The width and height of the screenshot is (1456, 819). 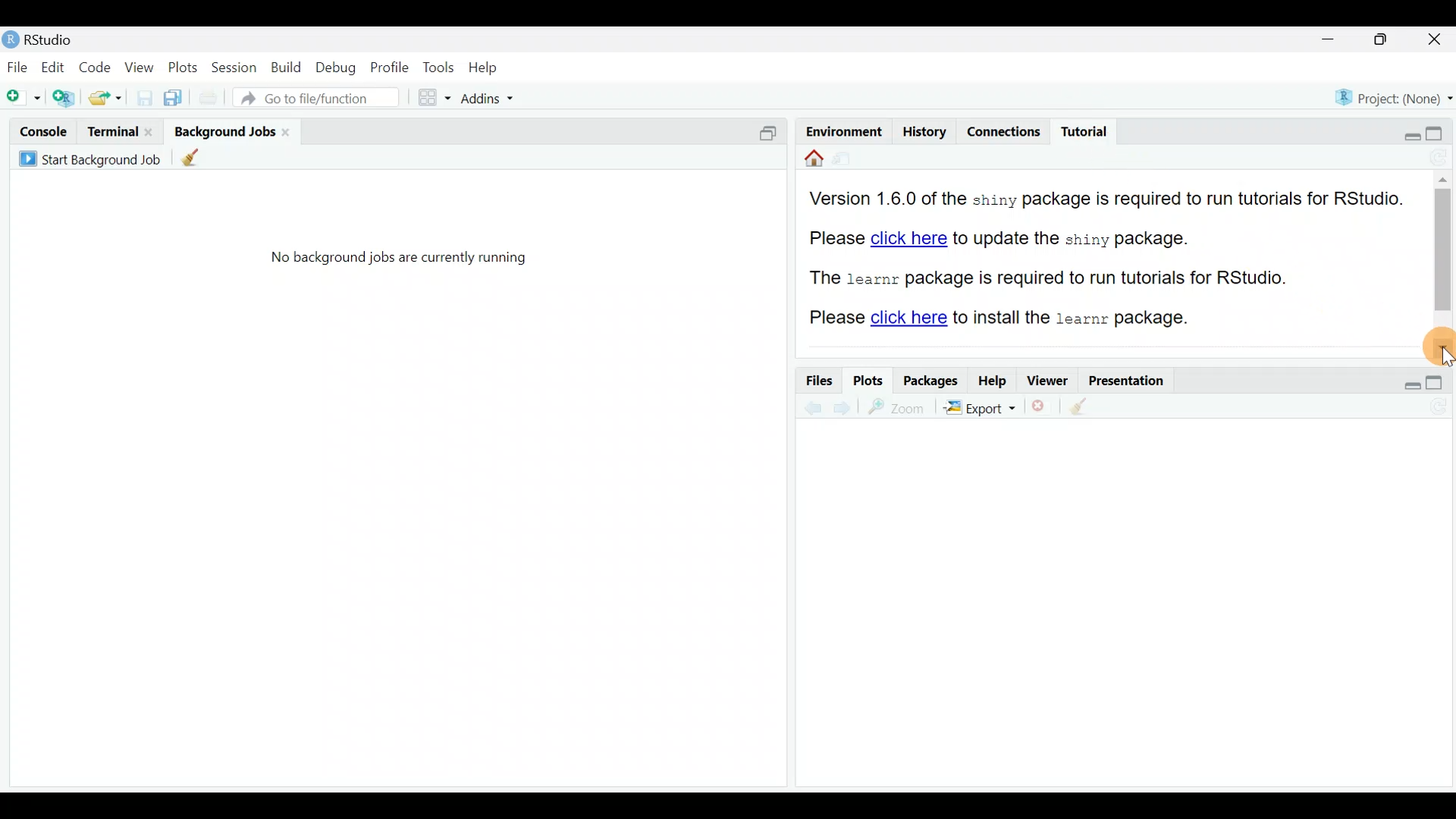 I want to click on File, so click(x=17, y=67).